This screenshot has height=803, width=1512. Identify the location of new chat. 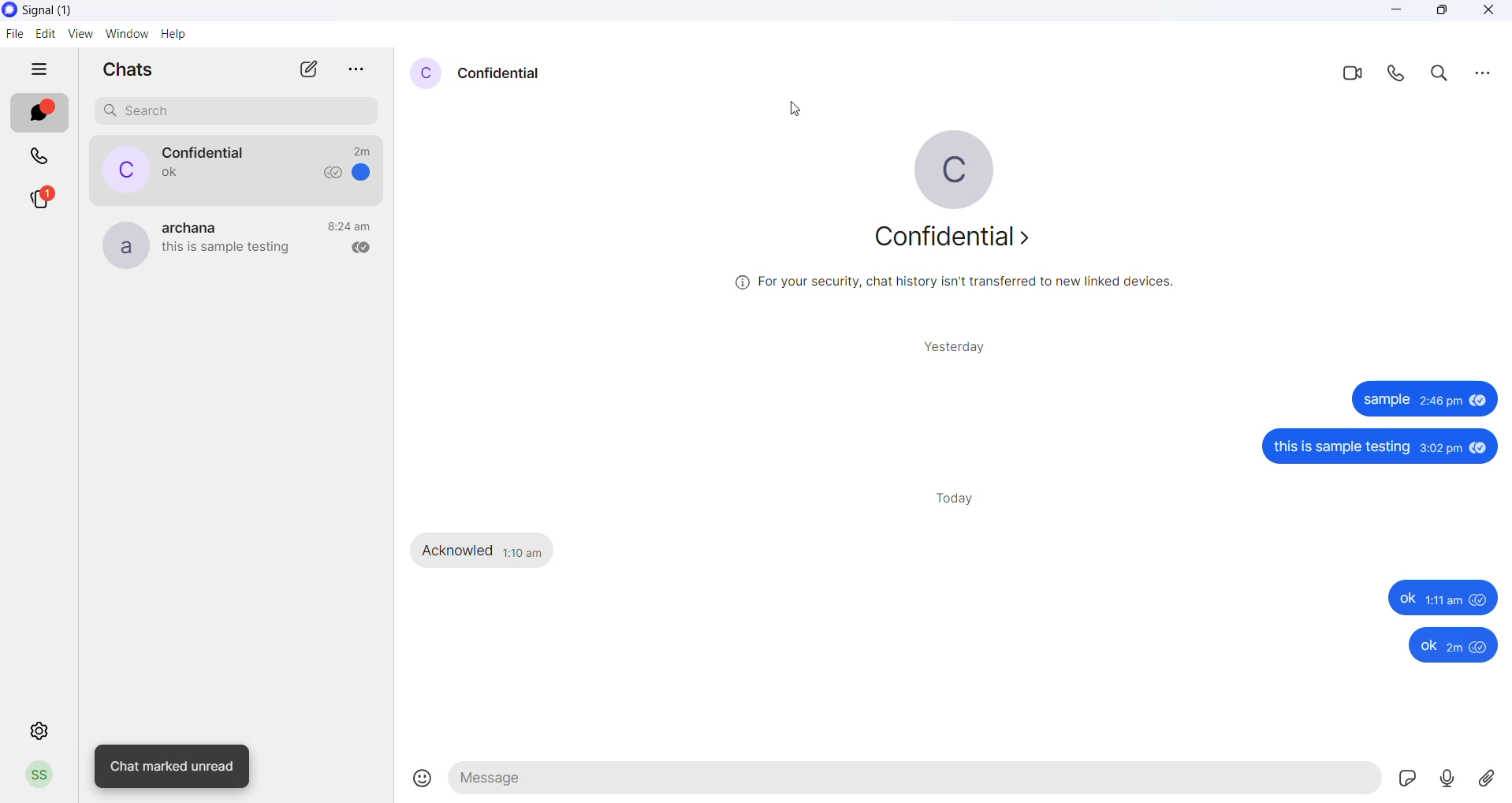
(297, 69).